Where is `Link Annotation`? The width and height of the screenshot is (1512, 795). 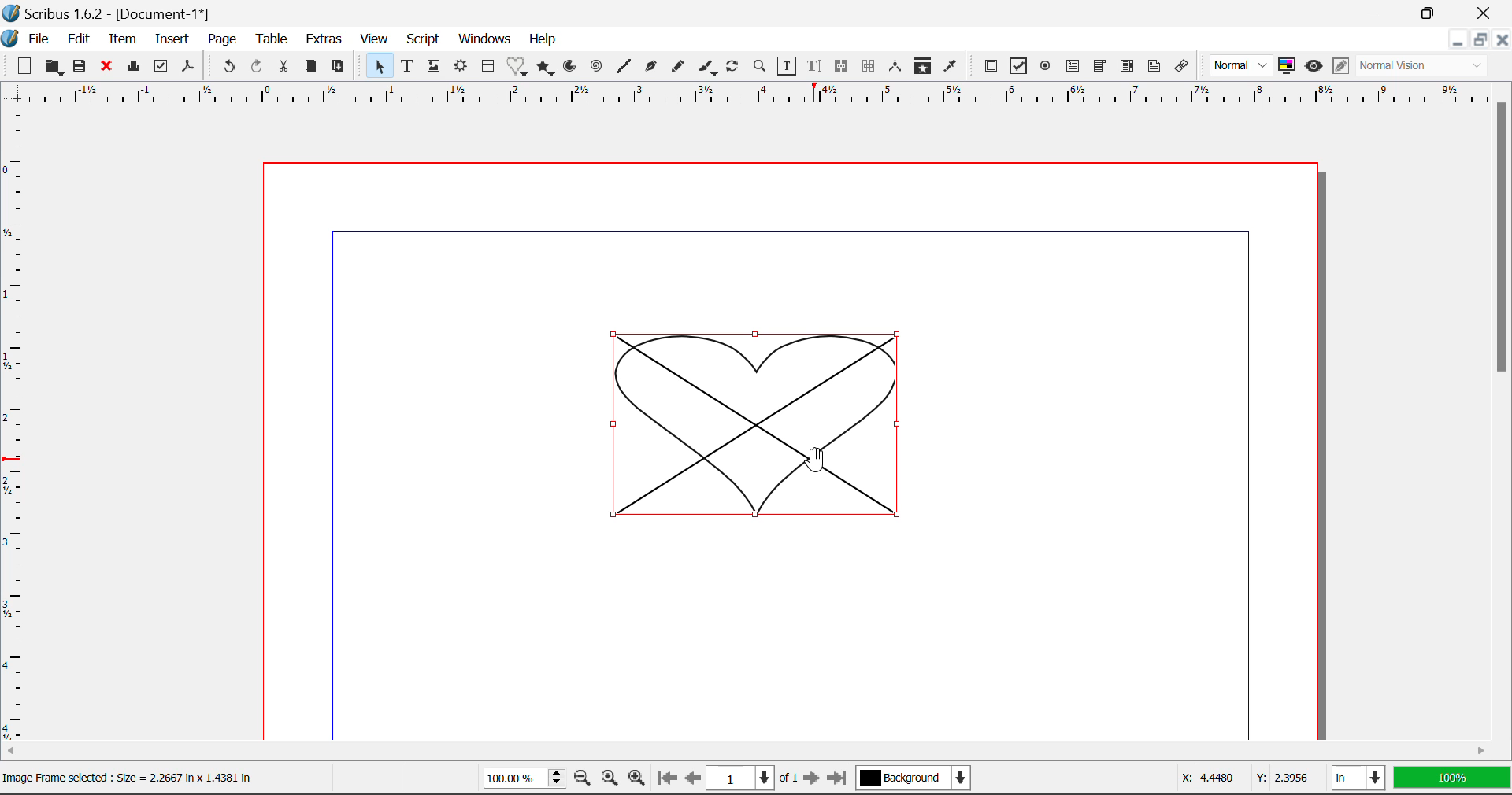 Link Annotation is located at coordinates (1182, 67).